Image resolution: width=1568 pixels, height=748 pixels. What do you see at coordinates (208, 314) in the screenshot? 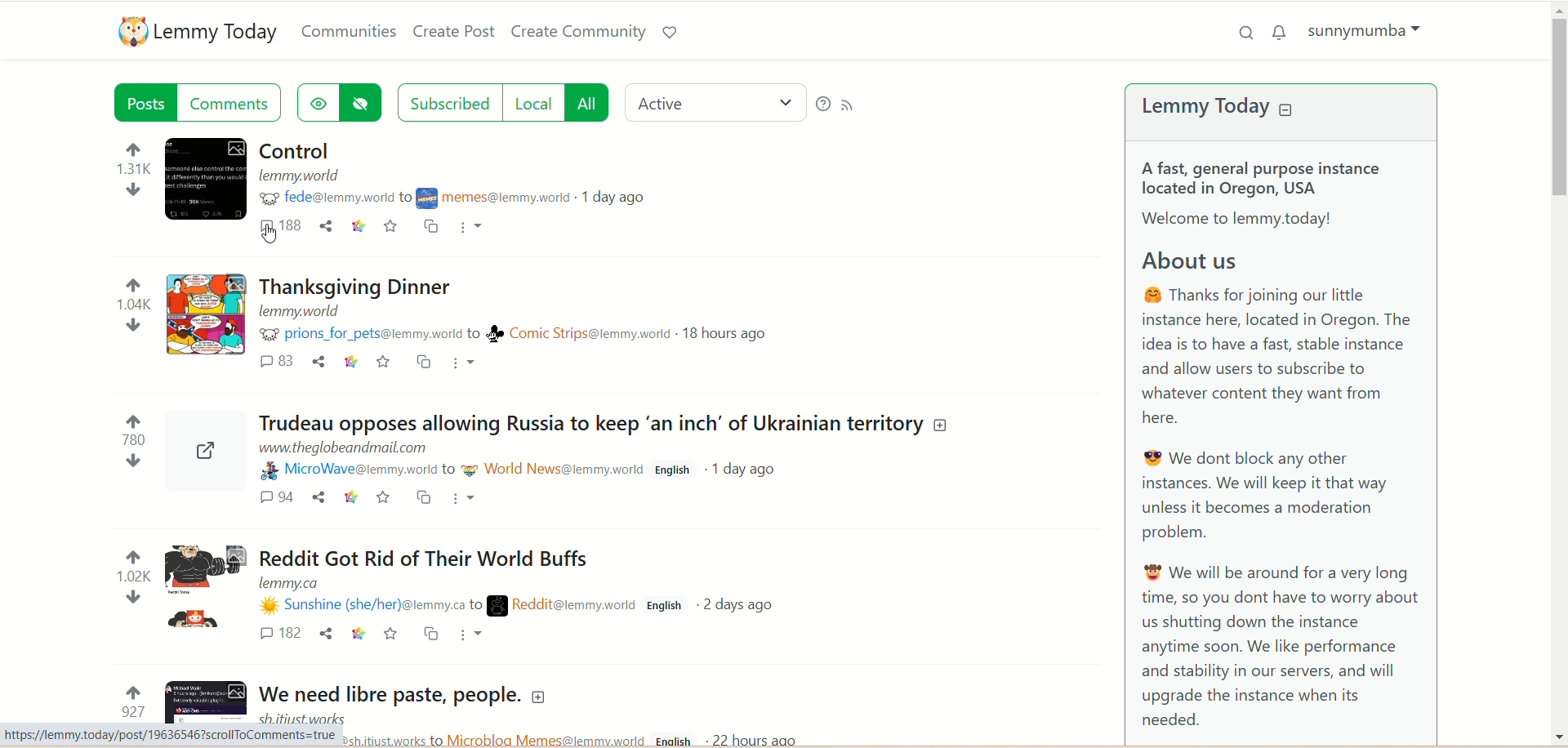
I see `Expand the post with the image details` at bounding box center [208, 314].